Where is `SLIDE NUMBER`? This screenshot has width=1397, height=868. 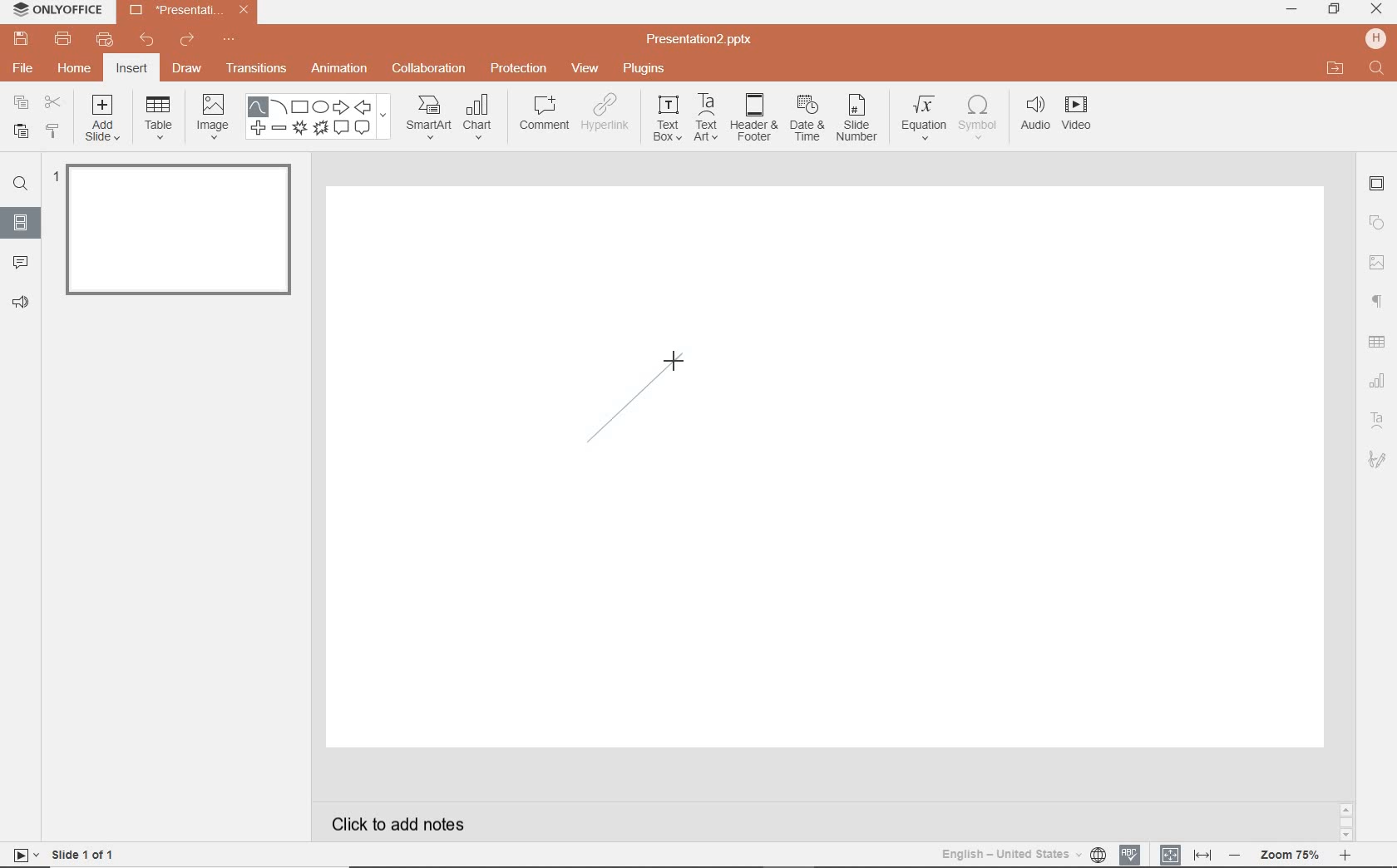 SLIDE NUMBER is located at coordinates (857, 122).